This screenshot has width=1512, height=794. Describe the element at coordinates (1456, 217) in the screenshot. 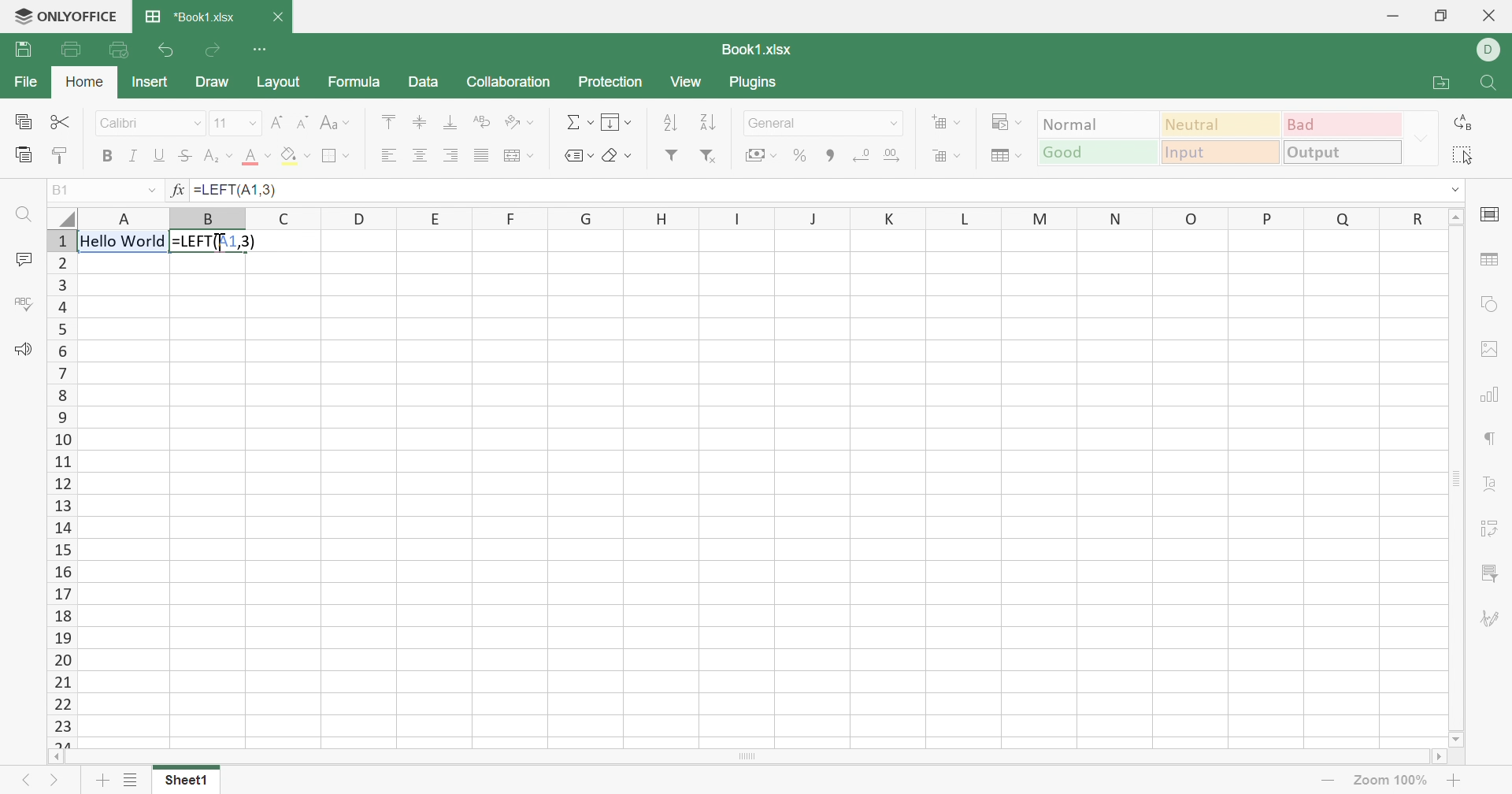

I see `Scroll up` at that location.